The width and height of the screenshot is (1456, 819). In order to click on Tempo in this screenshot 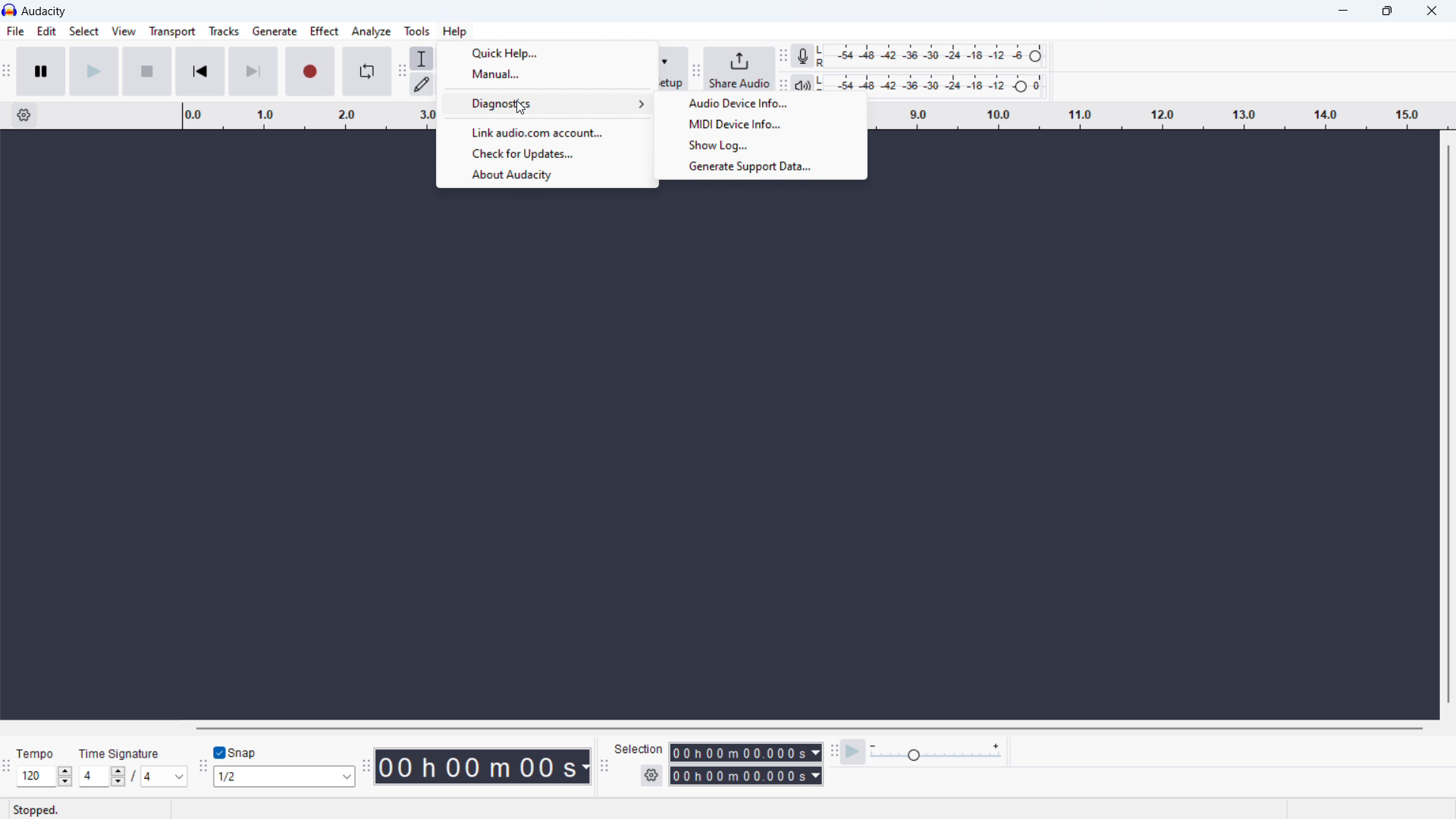, I will do `click(36, 753)`.